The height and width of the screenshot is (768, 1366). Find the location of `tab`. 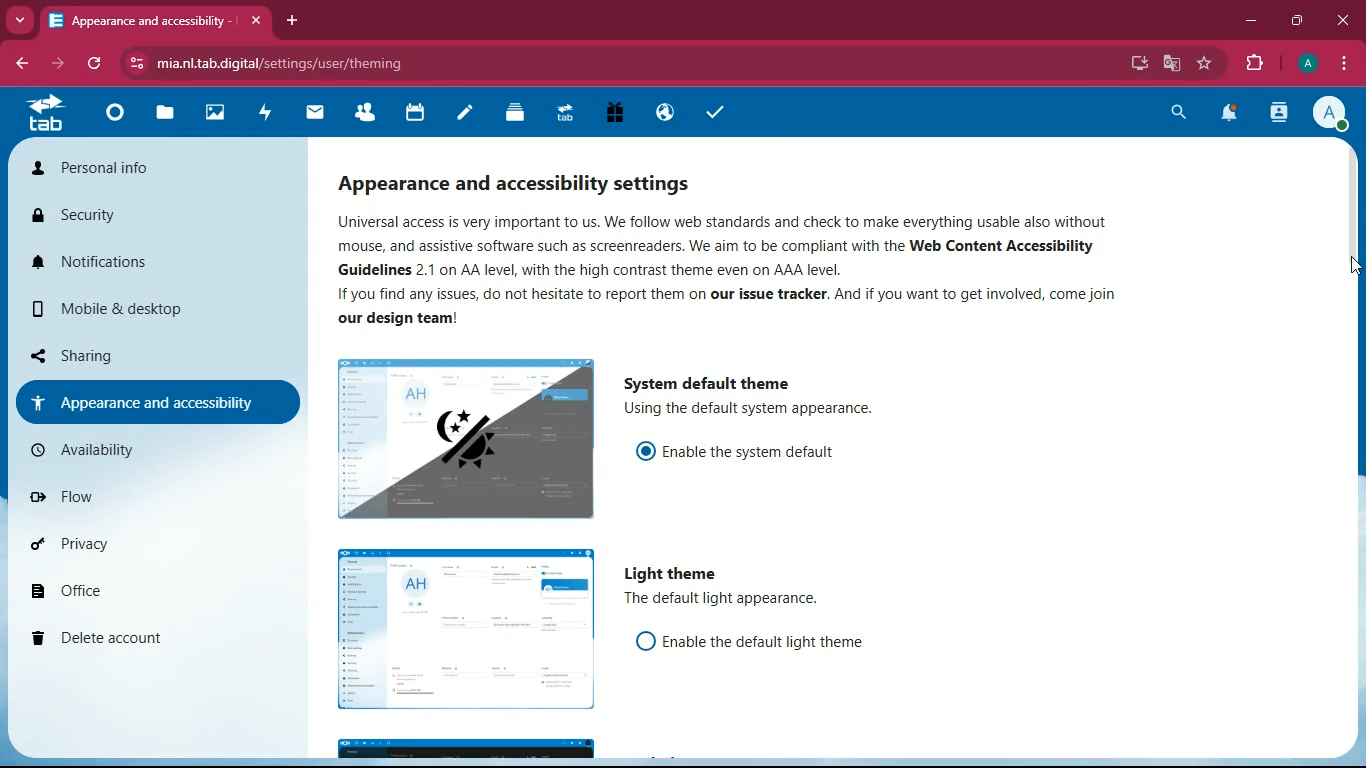

tab is located at coordinates (157, 20).